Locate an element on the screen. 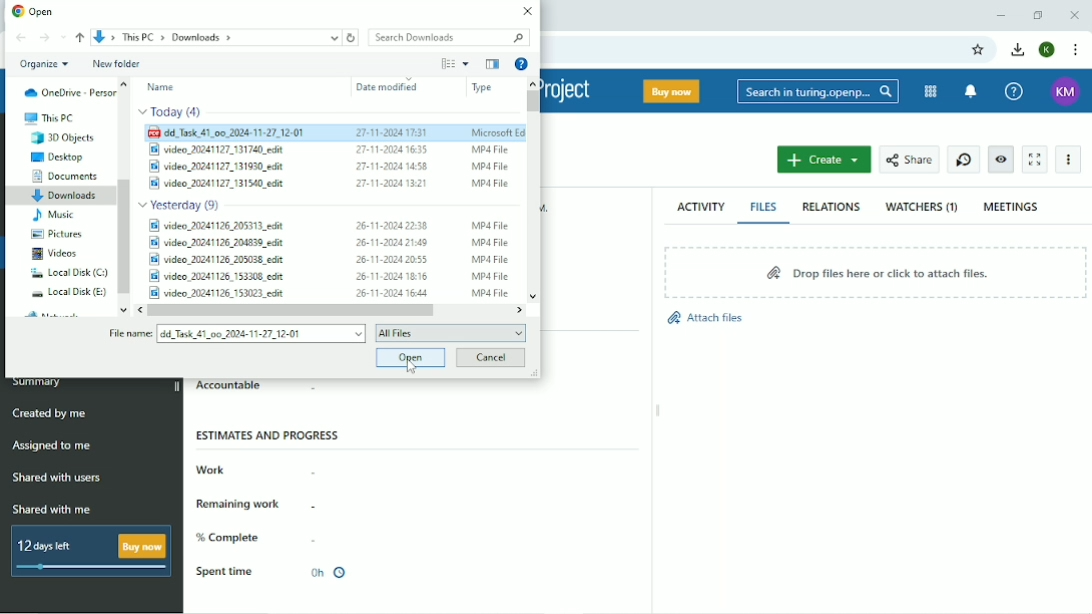 The image size is (1092, 614). Create is located at coordinates (825, 159).